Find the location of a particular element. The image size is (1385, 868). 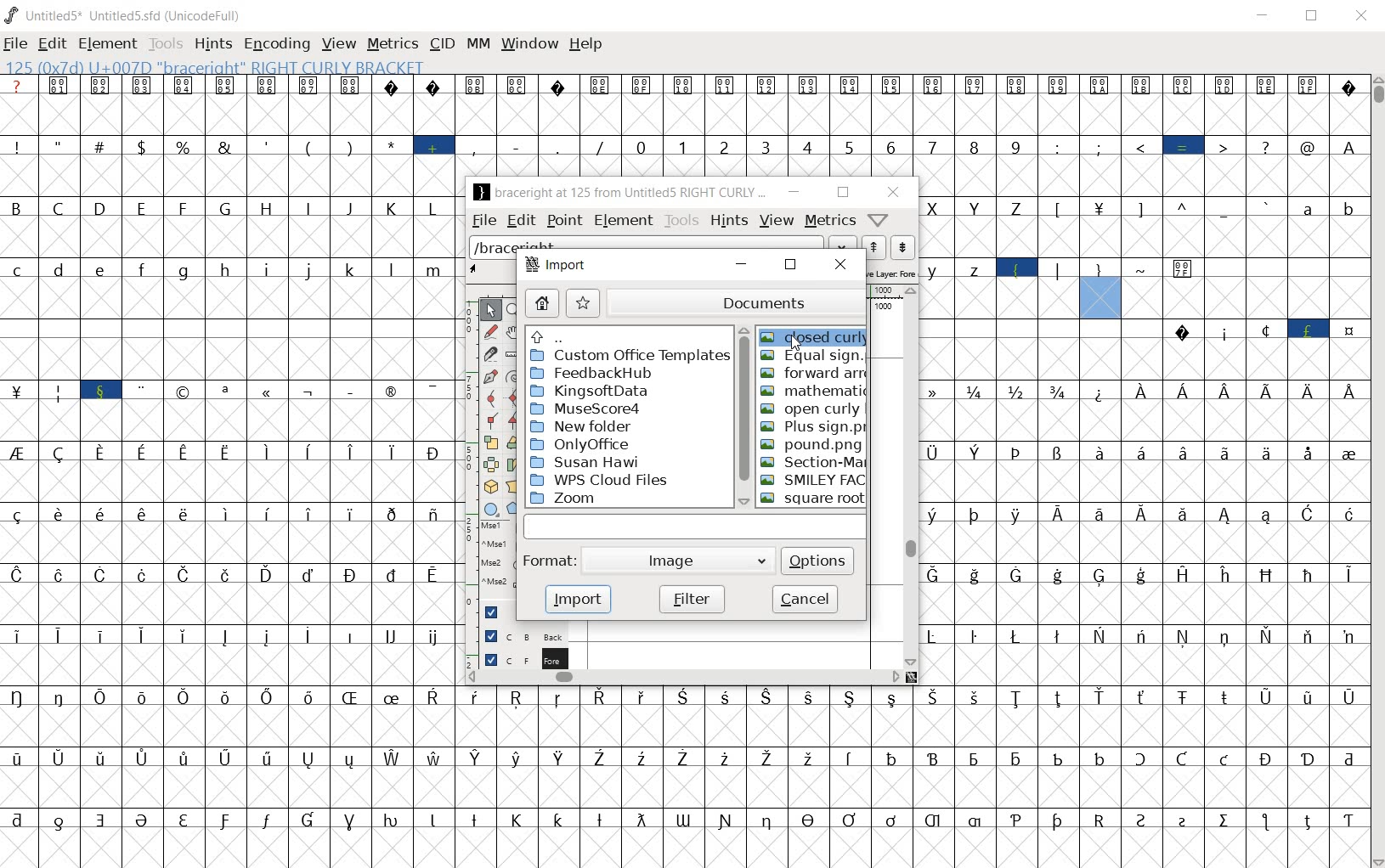

foreground is located at coordinates (517, 658).